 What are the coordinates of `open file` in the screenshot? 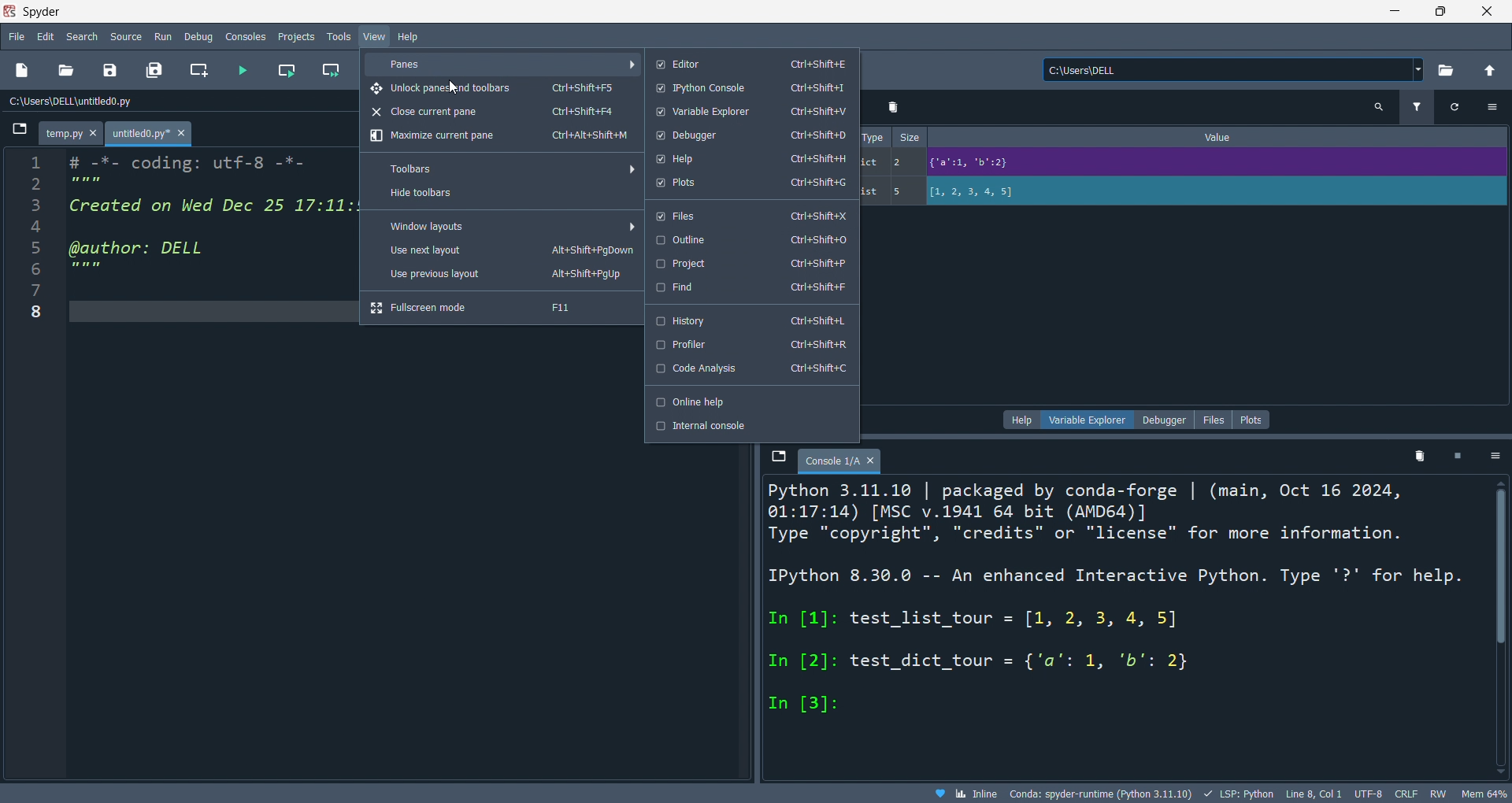 It's located at (65, 71).